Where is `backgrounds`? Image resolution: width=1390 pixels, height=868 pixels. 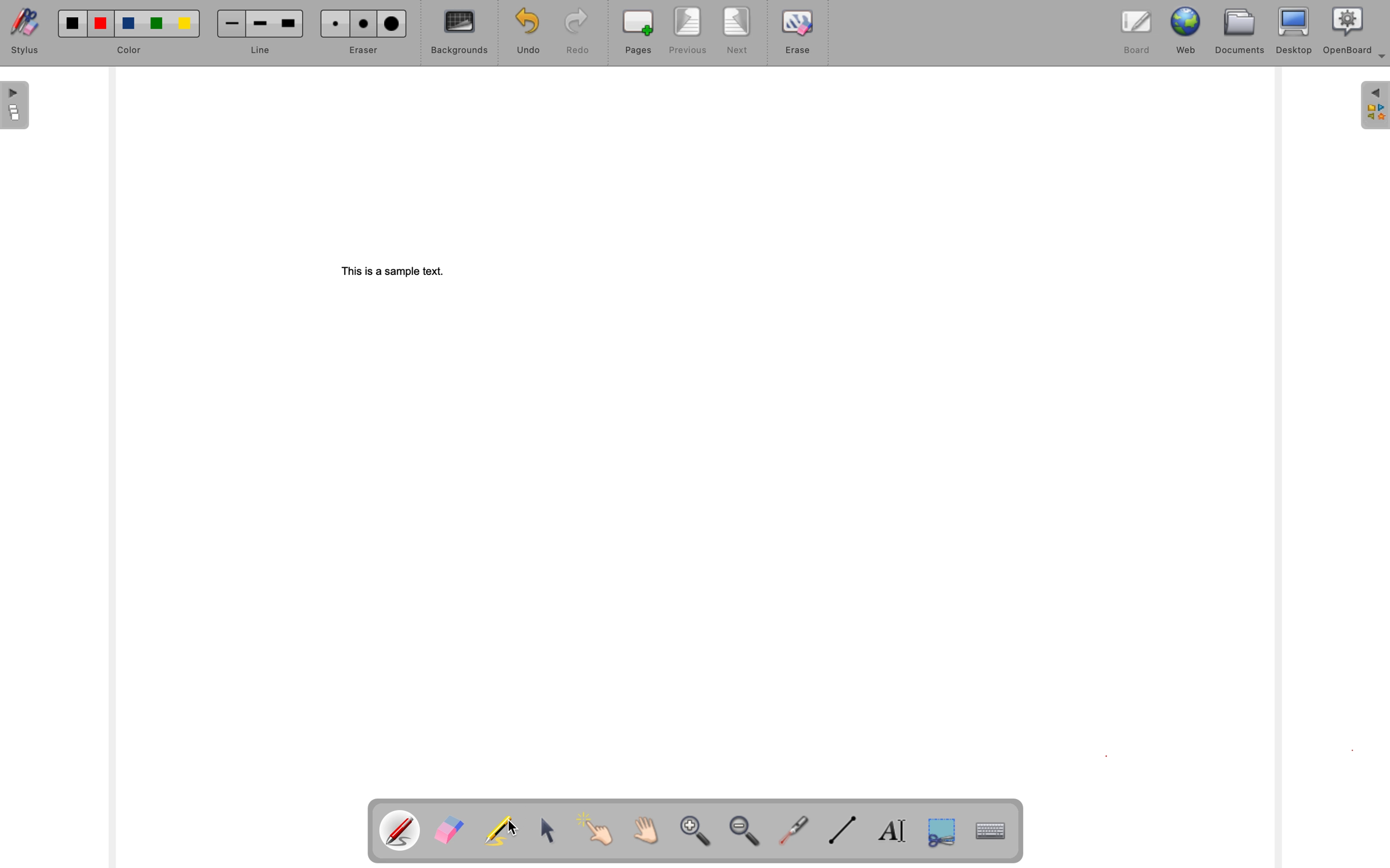 backgrounds is located at coordinates (455, 32).